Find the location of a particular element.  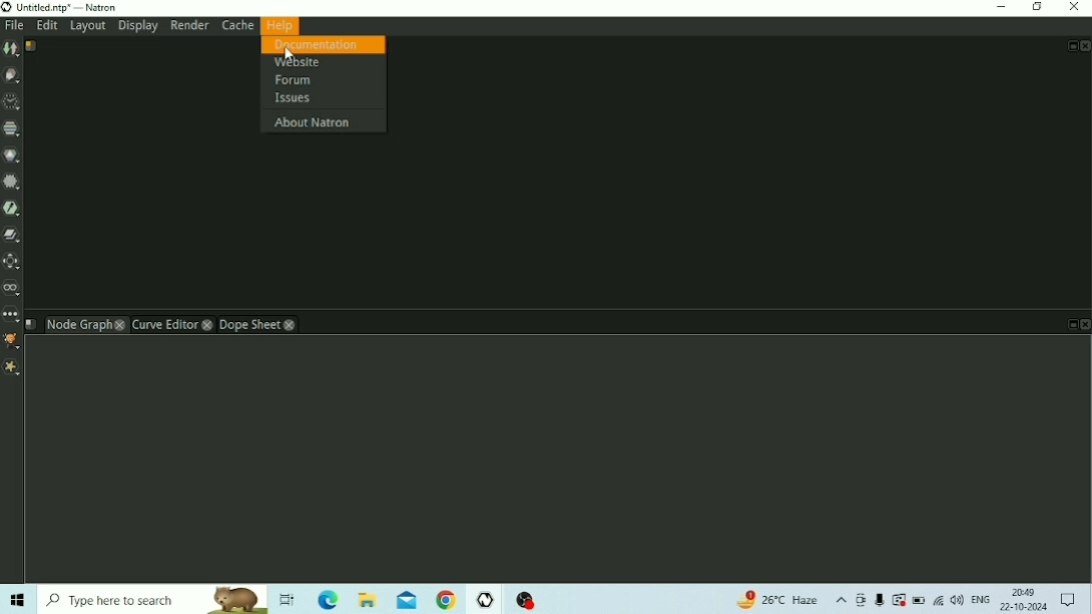

Forum is located at coordinates (293, 80).